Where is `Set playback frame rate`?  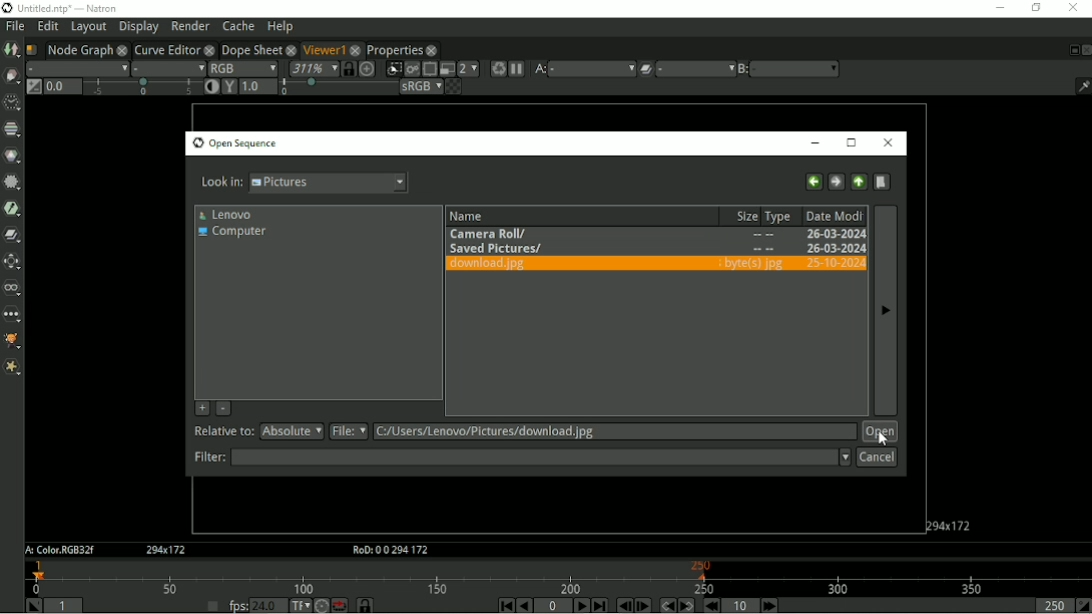 Set playback frame rate is located at coordinates (211, 604).